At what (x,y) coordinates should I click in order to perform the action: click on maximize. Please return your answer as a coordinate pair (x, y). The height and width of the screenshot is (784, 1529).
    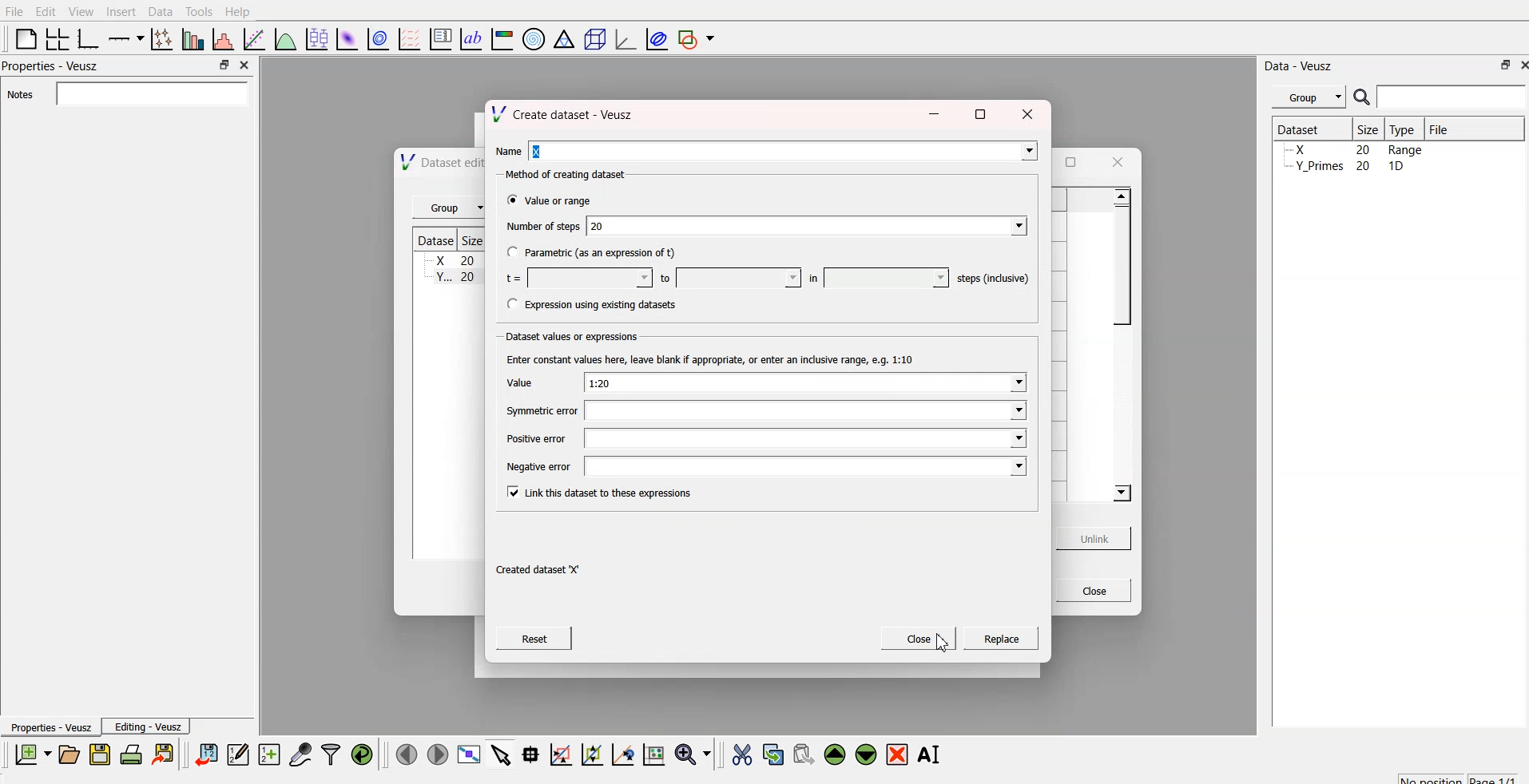
    Looking at the image, I should click on (1499, 65).